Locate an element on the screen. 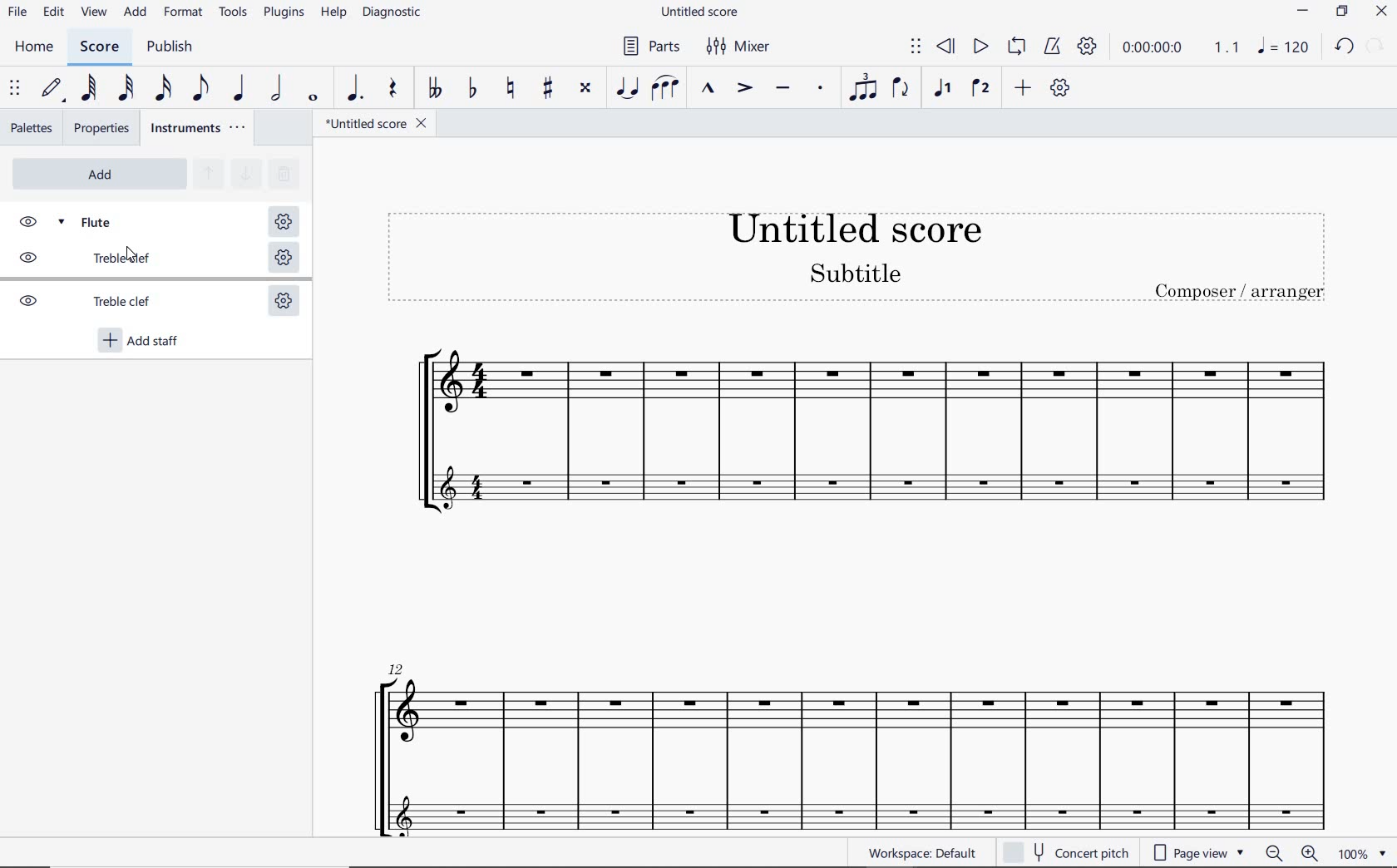 The image size is (1397, 868). PLAY is located at coordinates (980, 47).